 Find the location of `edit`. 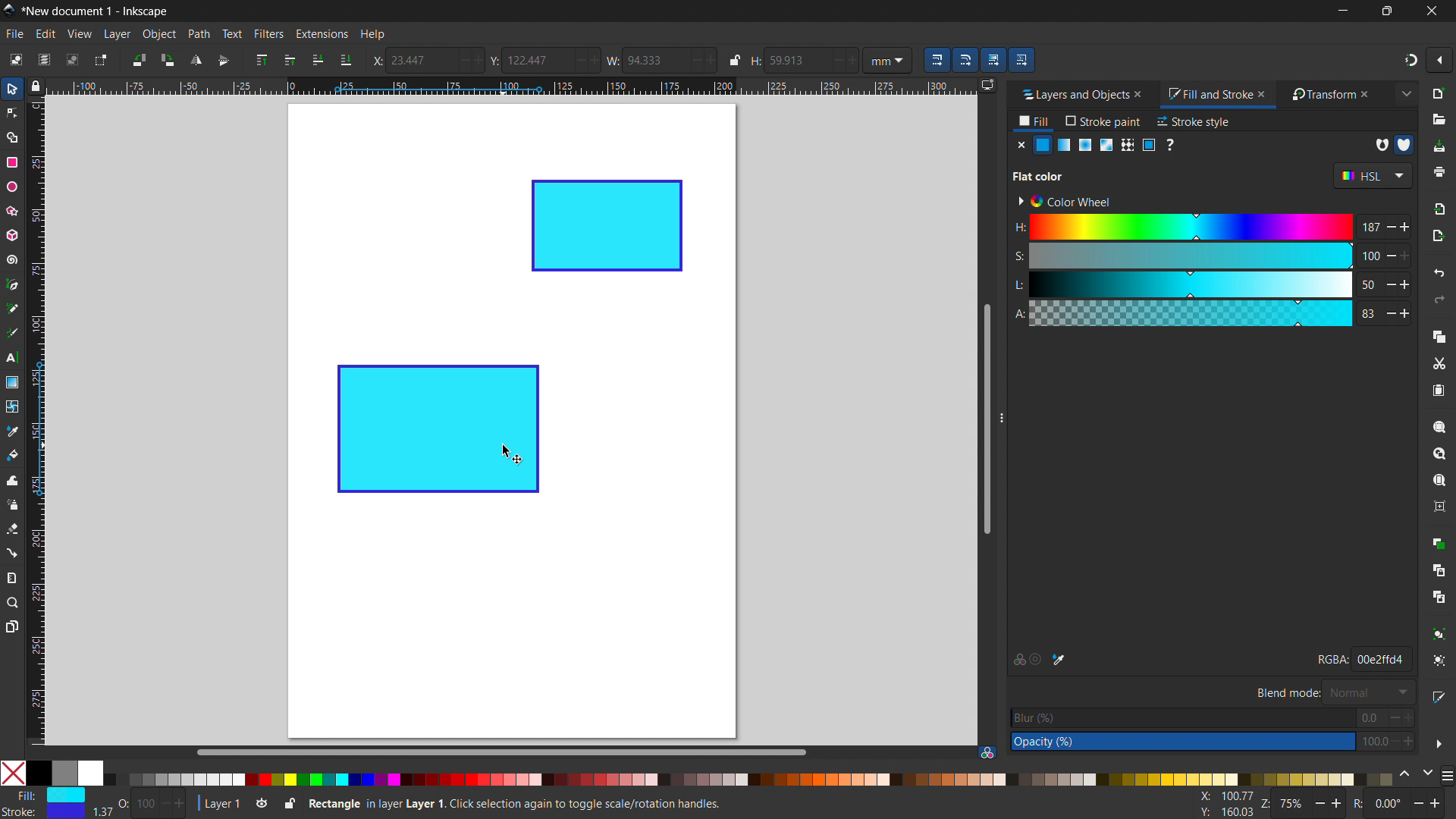

edit is located at coordinates (45, 34).